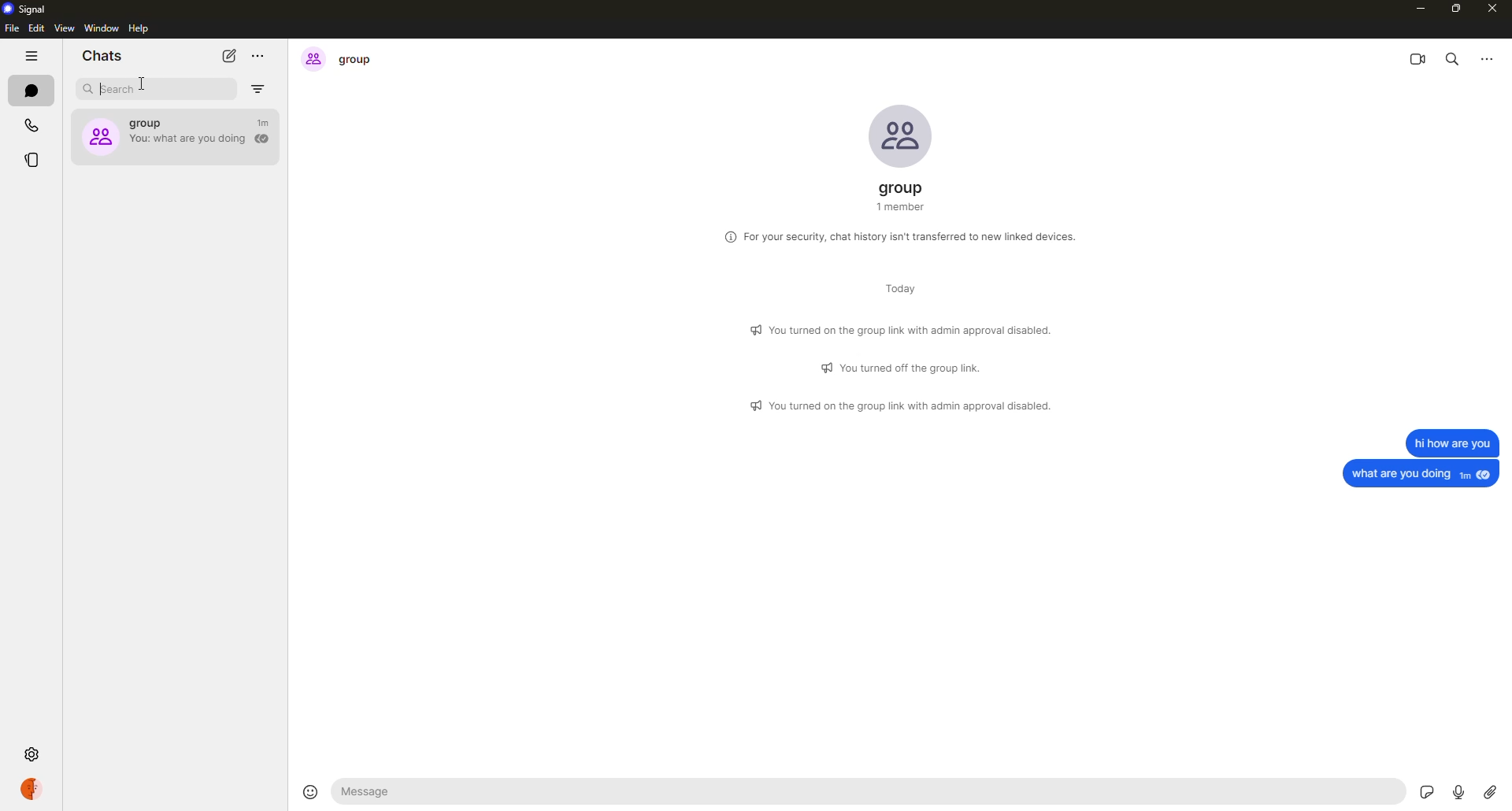 This screenshot has width=1512, height=811. Describe the element at coordinates (1490, 791) in the screenshot. I see `attach` at that location.